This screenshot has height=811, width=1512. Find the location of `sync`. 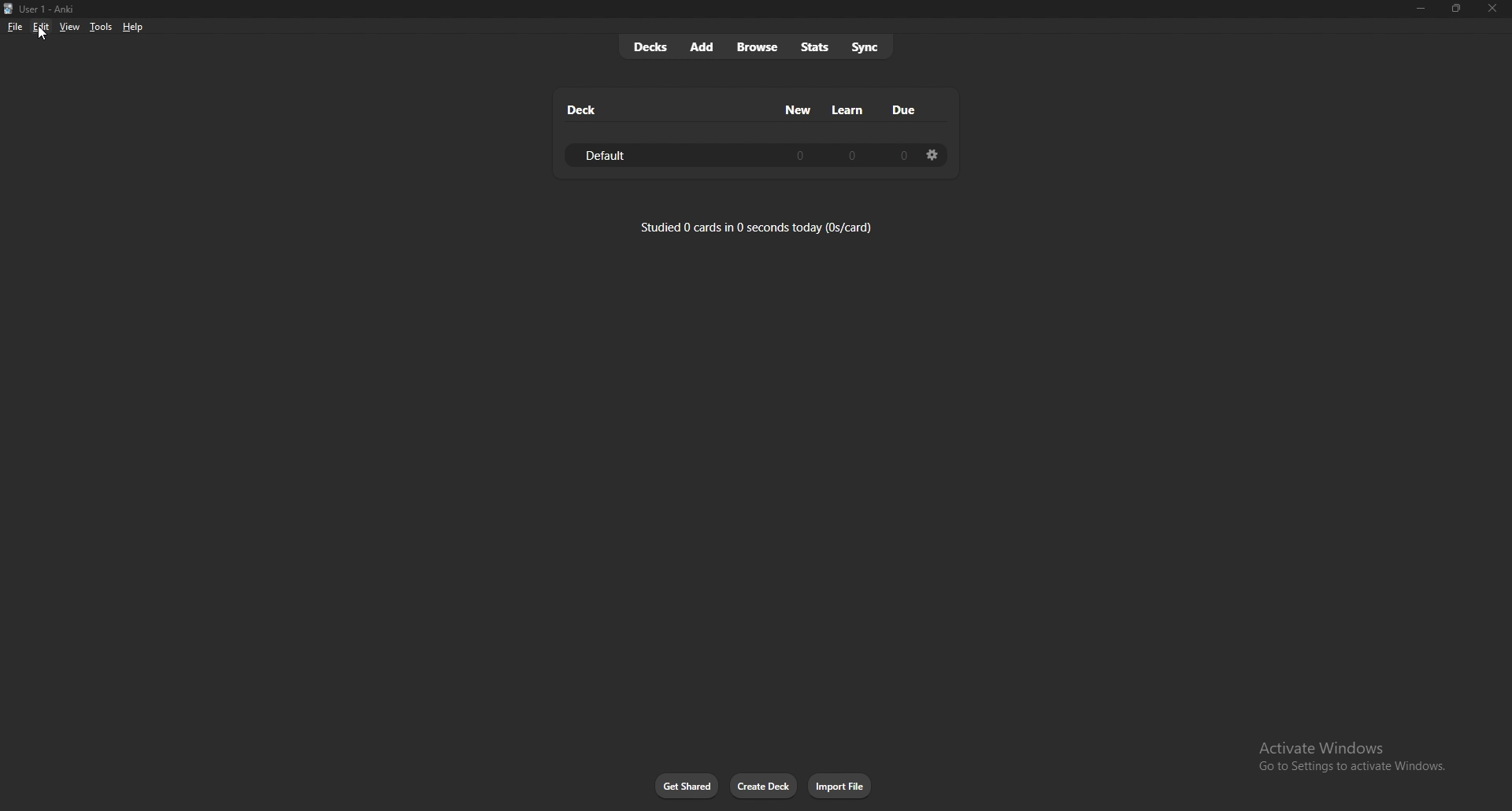

sync is located at coordinates (865, 48).